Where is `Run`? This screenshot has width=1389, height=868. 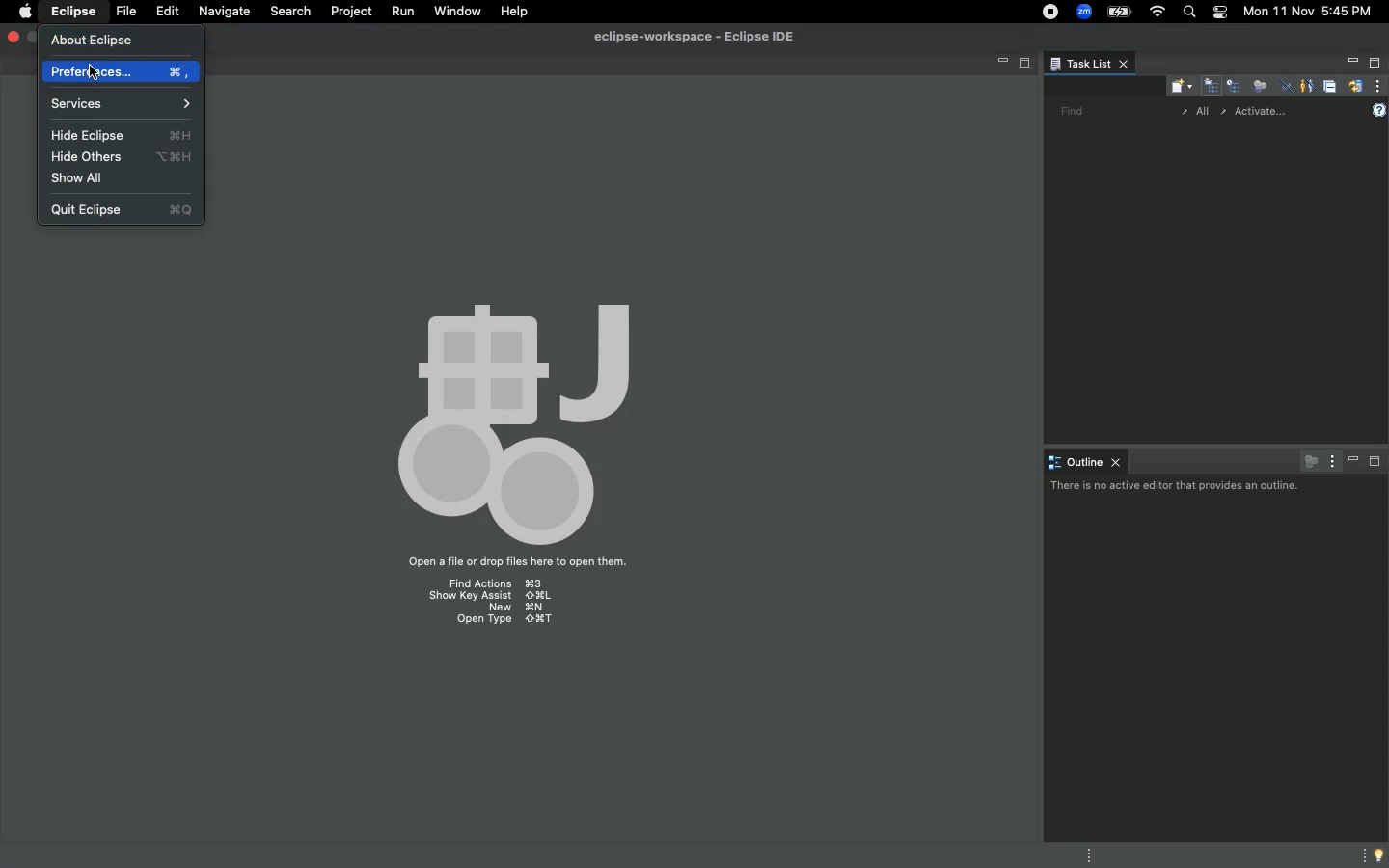
Run is located at coordinates (404, 12).